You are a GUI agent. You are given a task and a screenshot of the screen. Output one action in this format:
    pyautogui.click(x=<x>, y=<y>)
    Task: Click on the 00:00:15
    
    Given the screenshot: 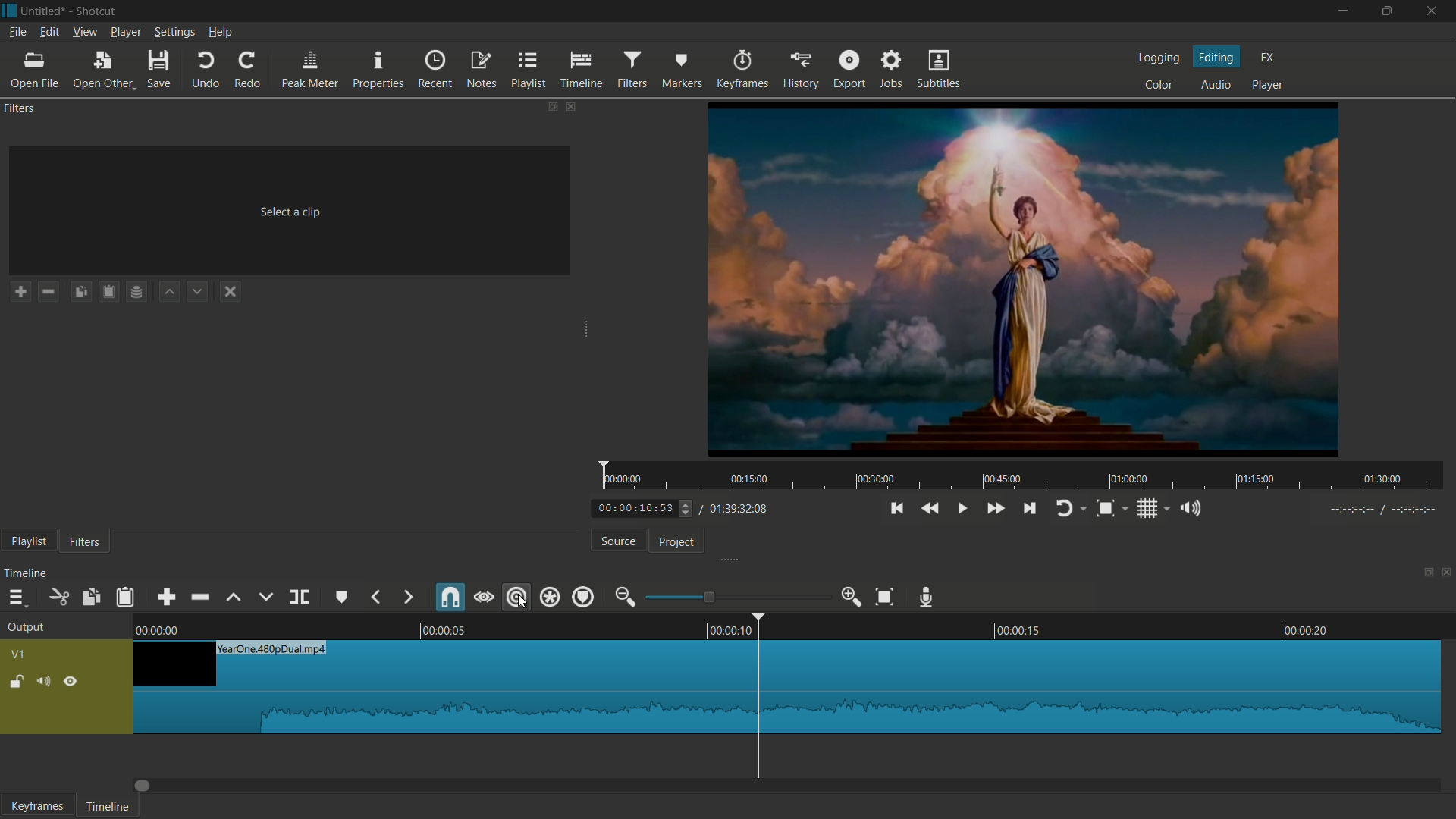 What is the action you would take?
    pyautogui.click(x=1018, y=629)
    